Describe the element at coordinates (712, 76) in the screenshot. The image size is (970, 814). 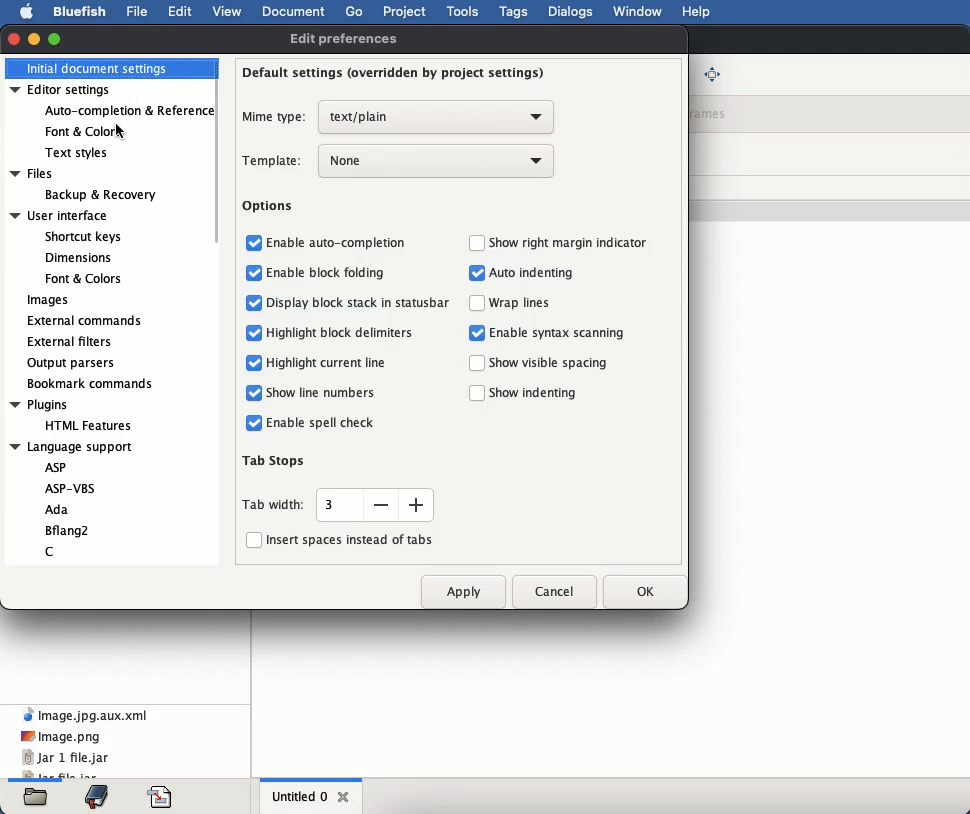
I see `full screen` at that location.